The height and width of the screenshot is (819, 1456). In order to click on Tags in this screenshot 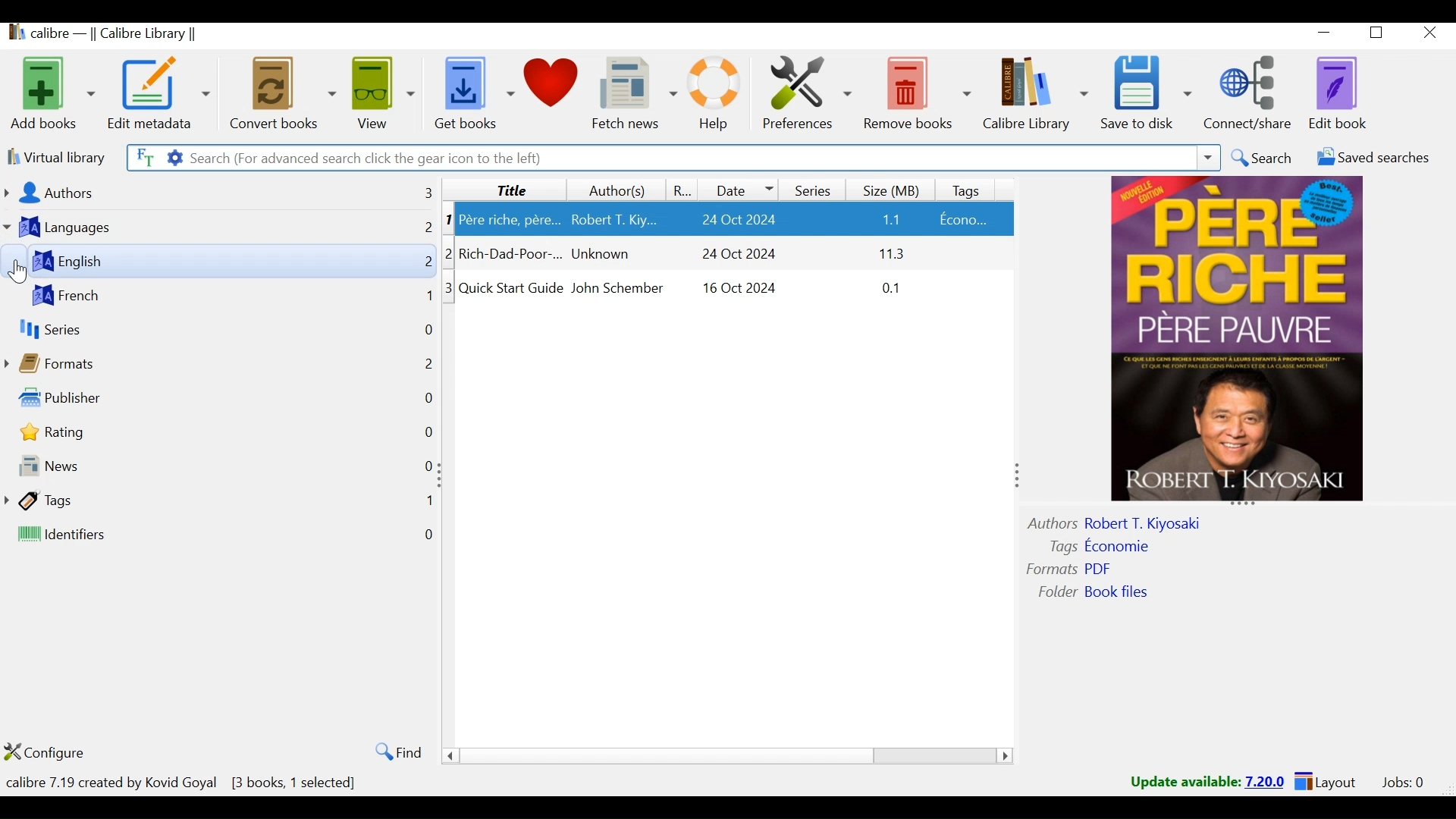, I will do `click(114, 501)`.